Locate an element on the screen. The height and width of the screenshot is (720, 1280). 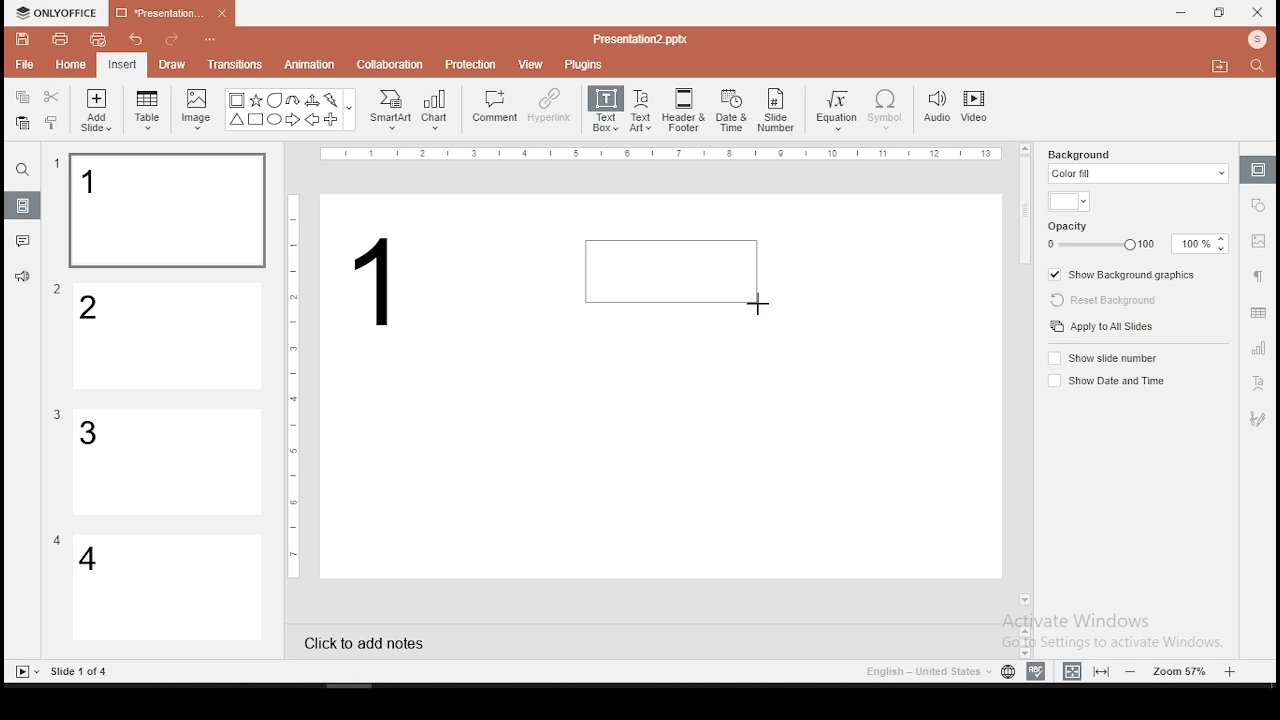
show date and time on/off is located at coordinates (1105, 380).